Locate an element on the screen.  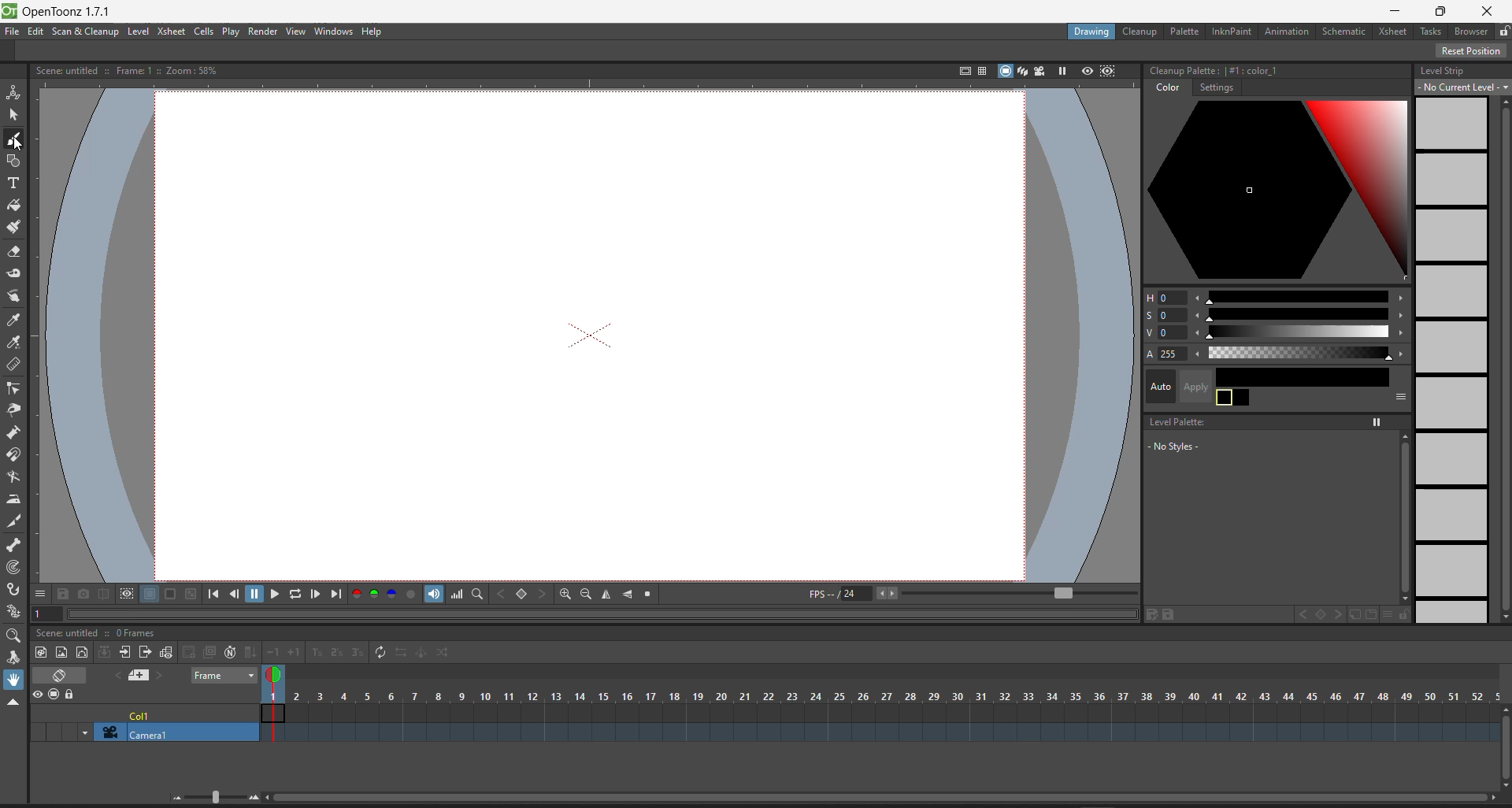
view is located at coordinates (298, 32).